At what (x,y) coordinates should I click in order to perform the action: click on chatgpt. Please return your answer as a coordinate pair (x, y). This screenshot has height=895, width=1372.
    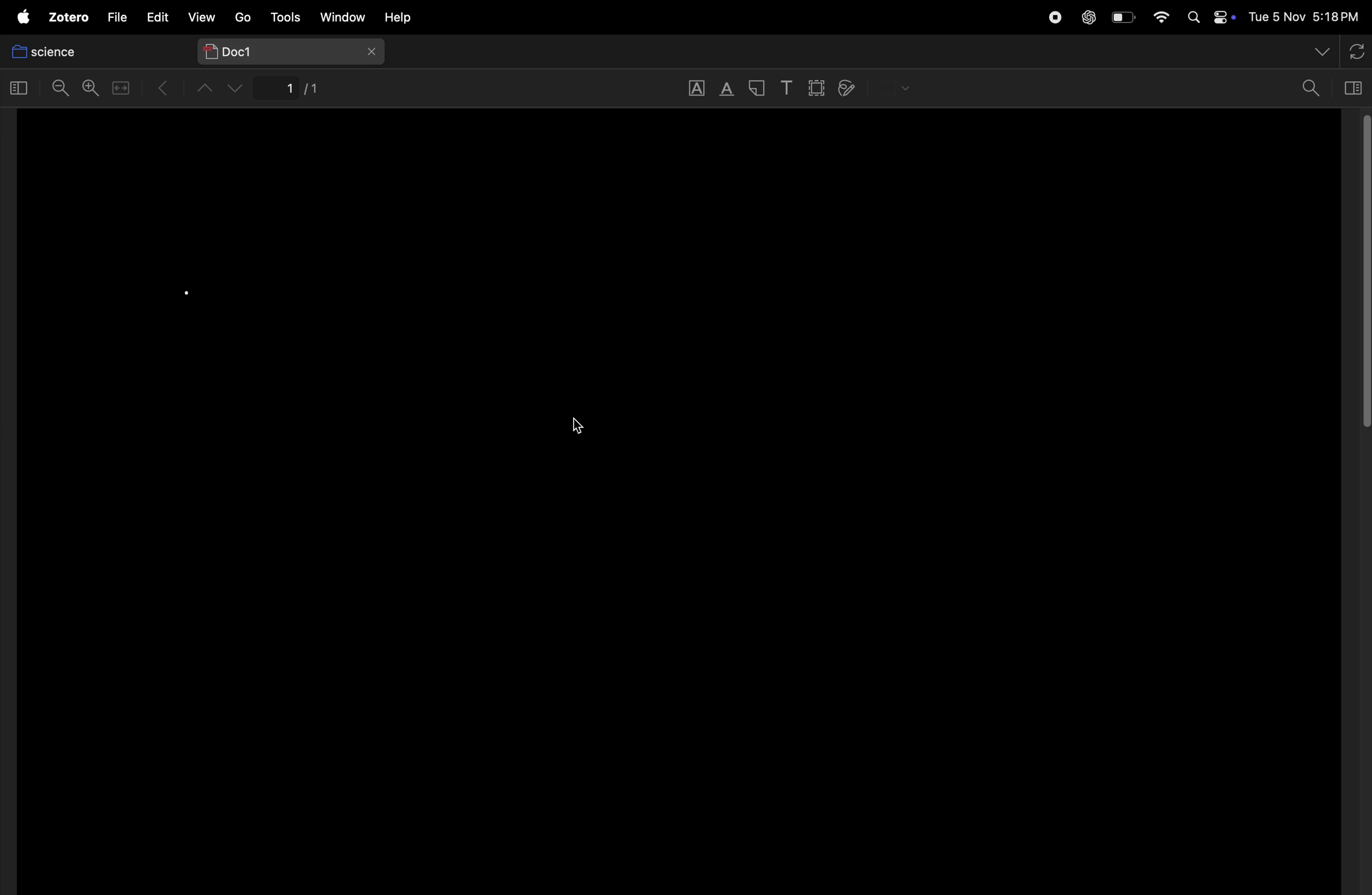
    Looking at the image, I should click on (1088, 14).